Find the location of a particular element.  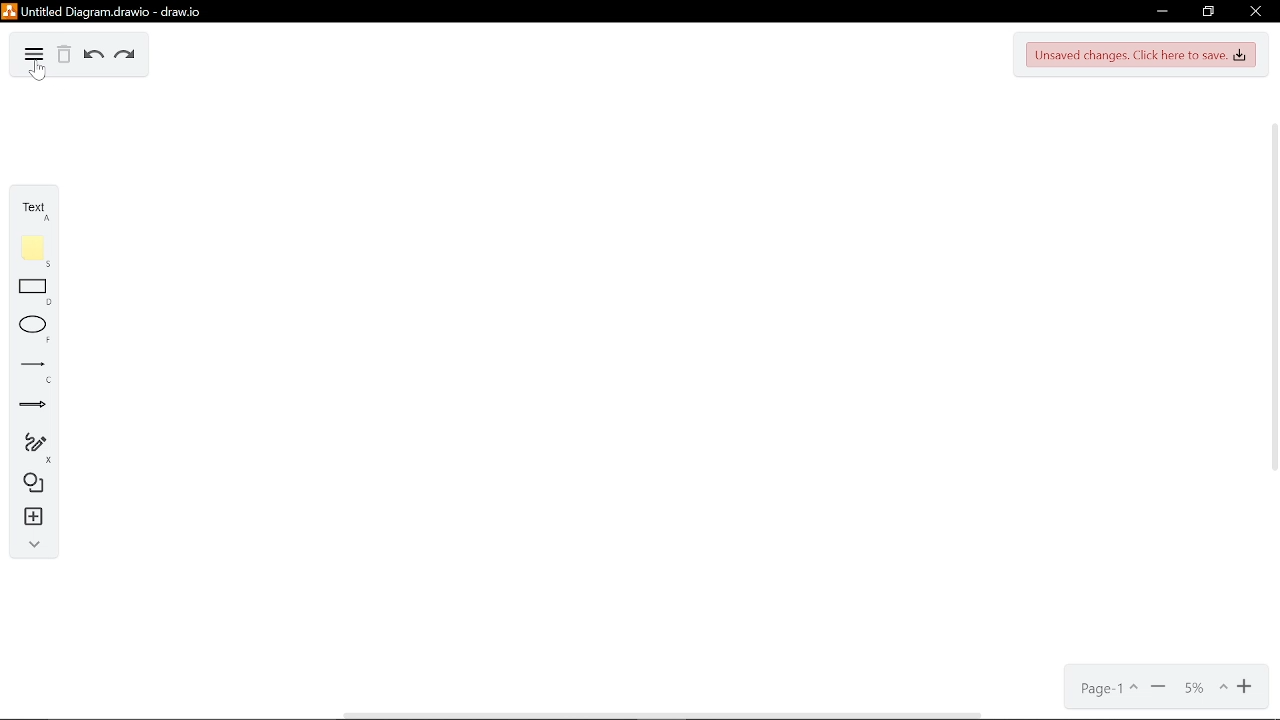

Undo is located at coordinates (91, 57).